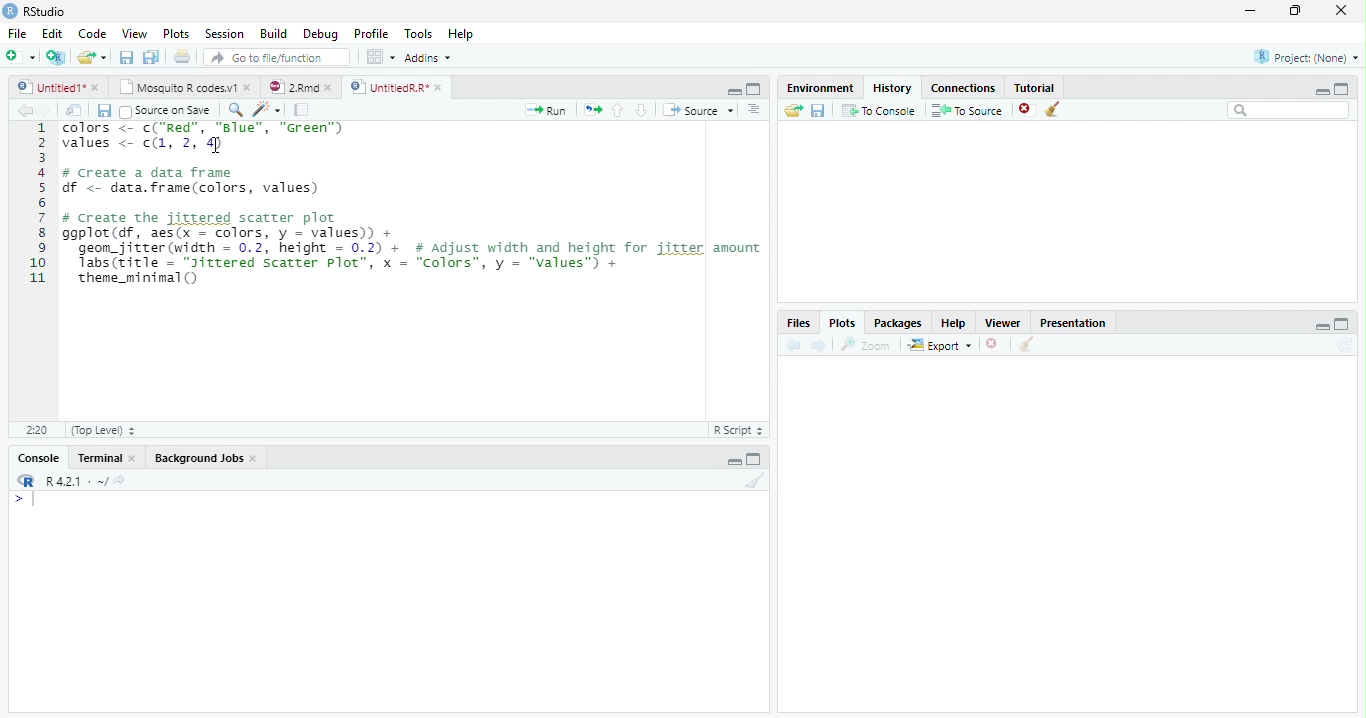 The width and height of the screenshot is (1366, 718). I want to click on Search bar, so click(1290, 110).